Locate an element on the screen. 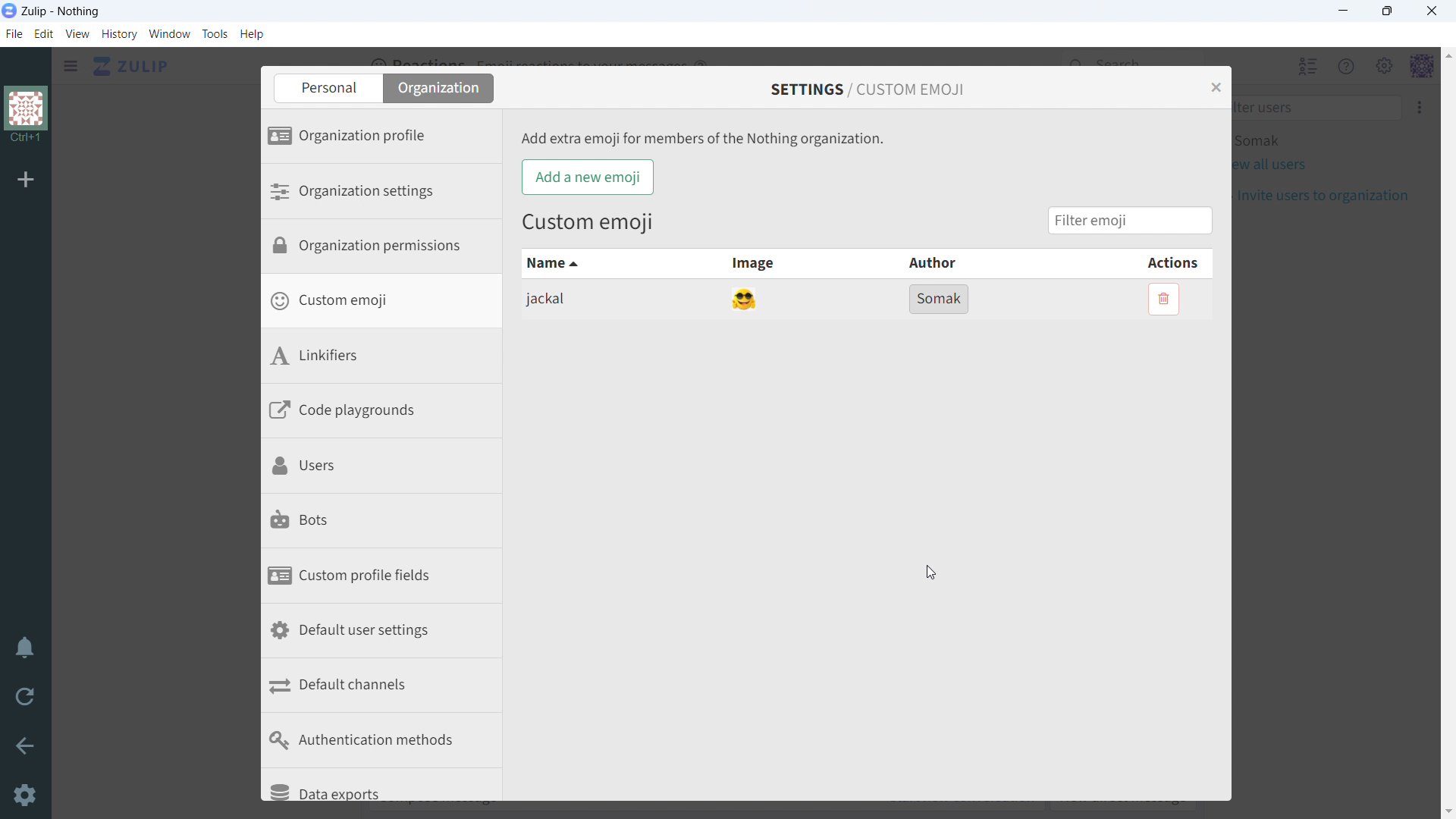 This screenshot has width=1456, height=819. author is located at coordinates (935, 264).